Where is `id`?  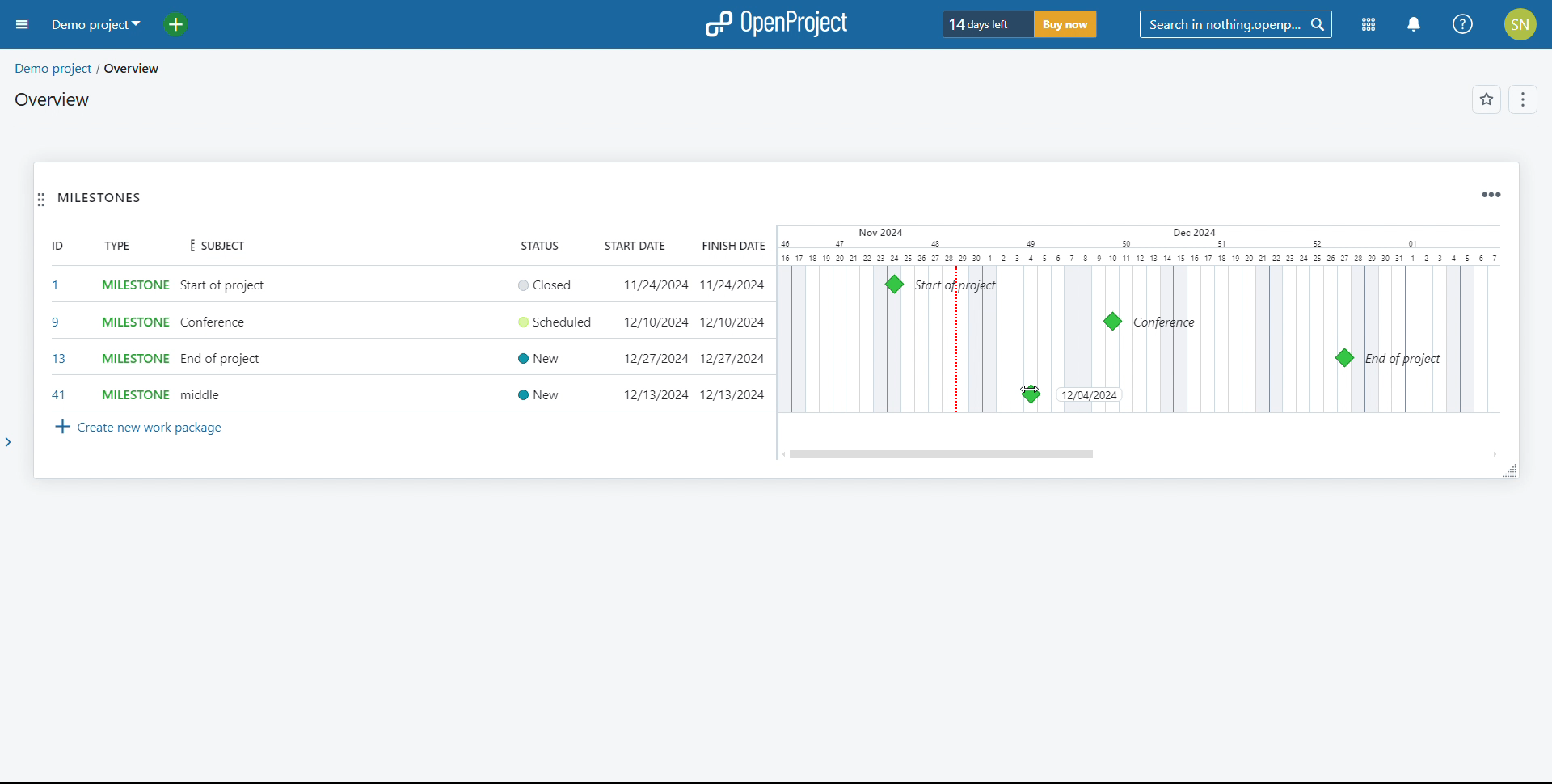
id is located at coordinates (57, 245).